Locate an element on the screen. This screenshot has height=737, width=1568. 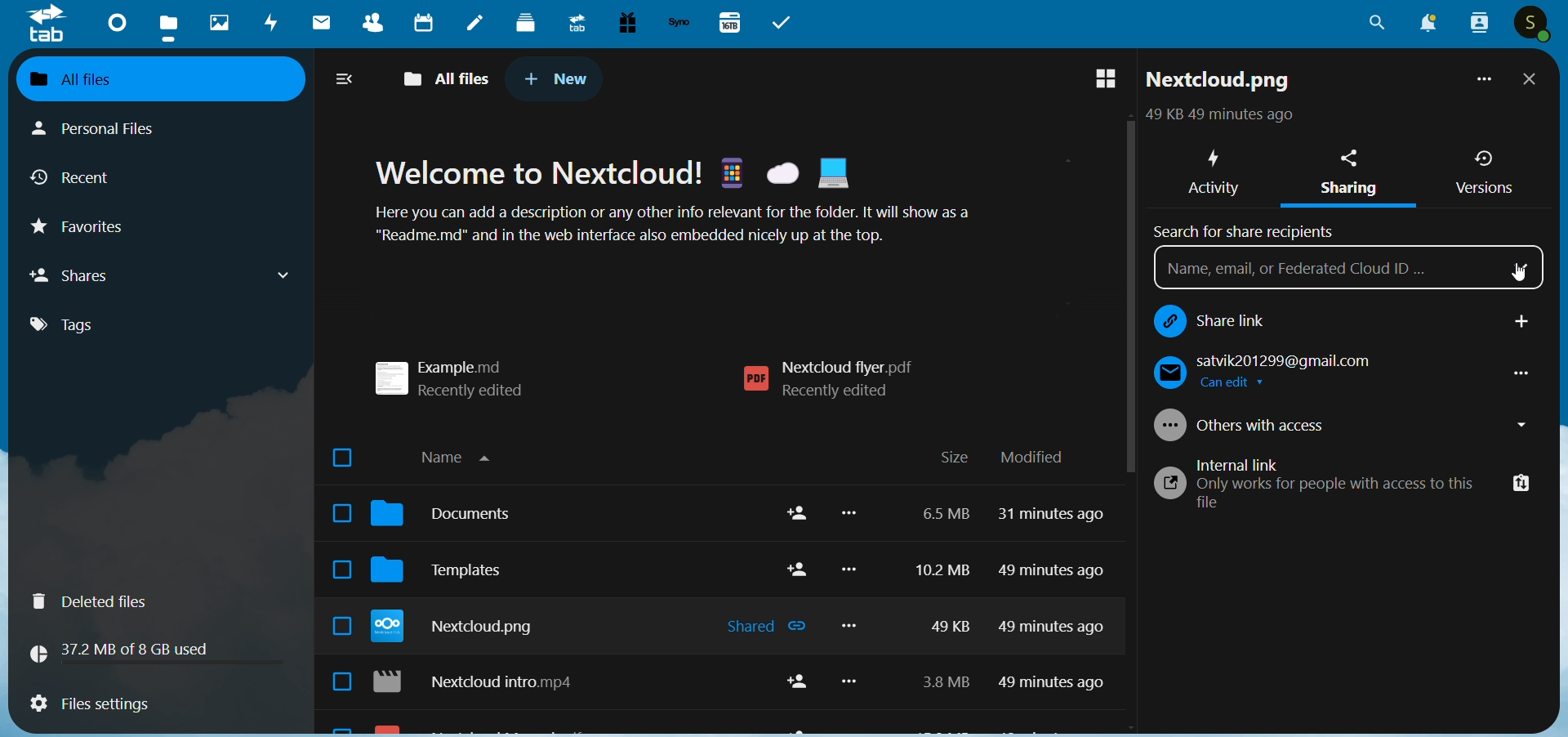
share is located at coordinates (797, 541).